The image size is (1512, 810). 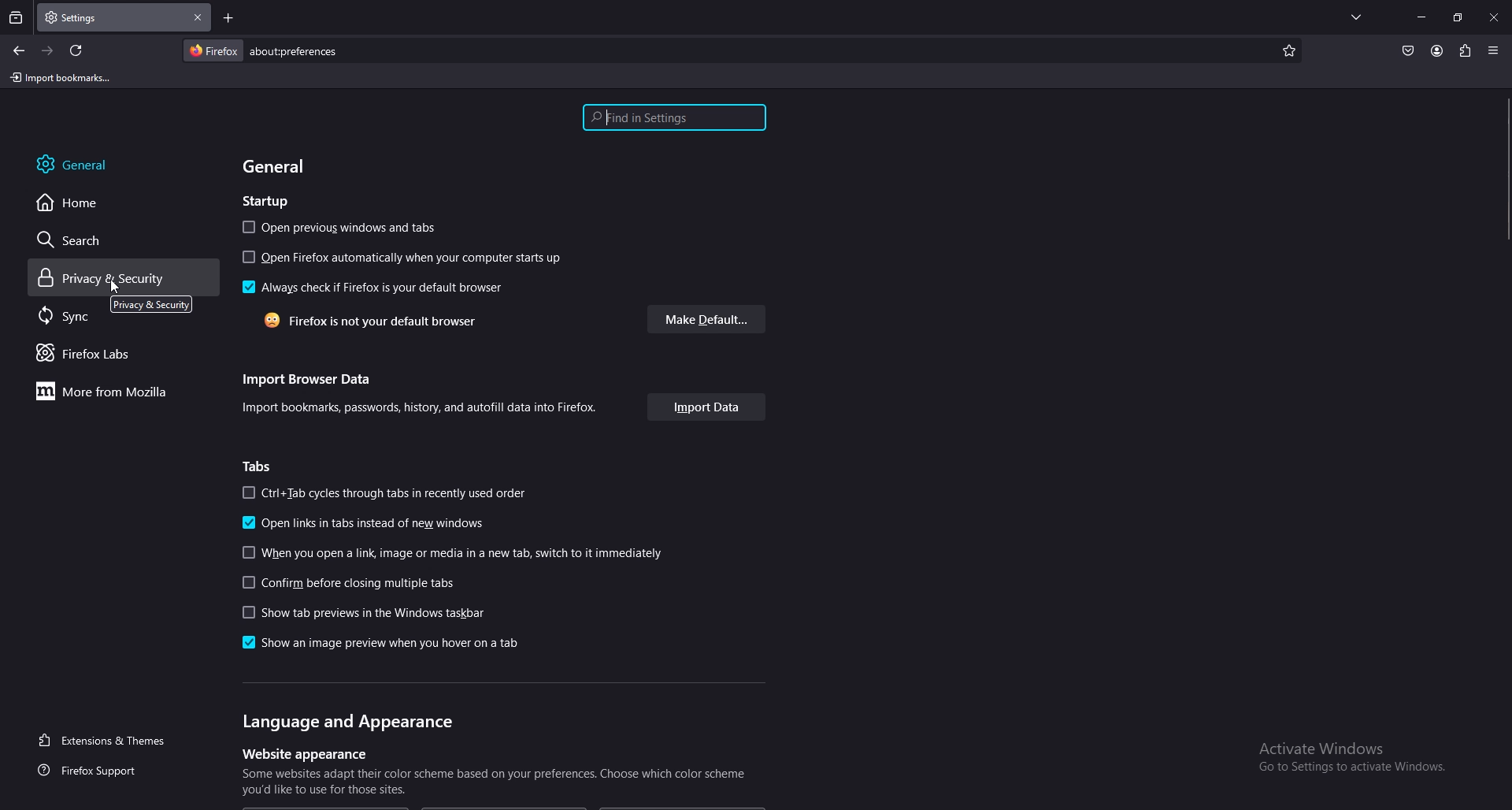 What do you see at coordinates (1290, 51) in the screenshot?
I see `bookmark` at bounding box center [1290, 51].